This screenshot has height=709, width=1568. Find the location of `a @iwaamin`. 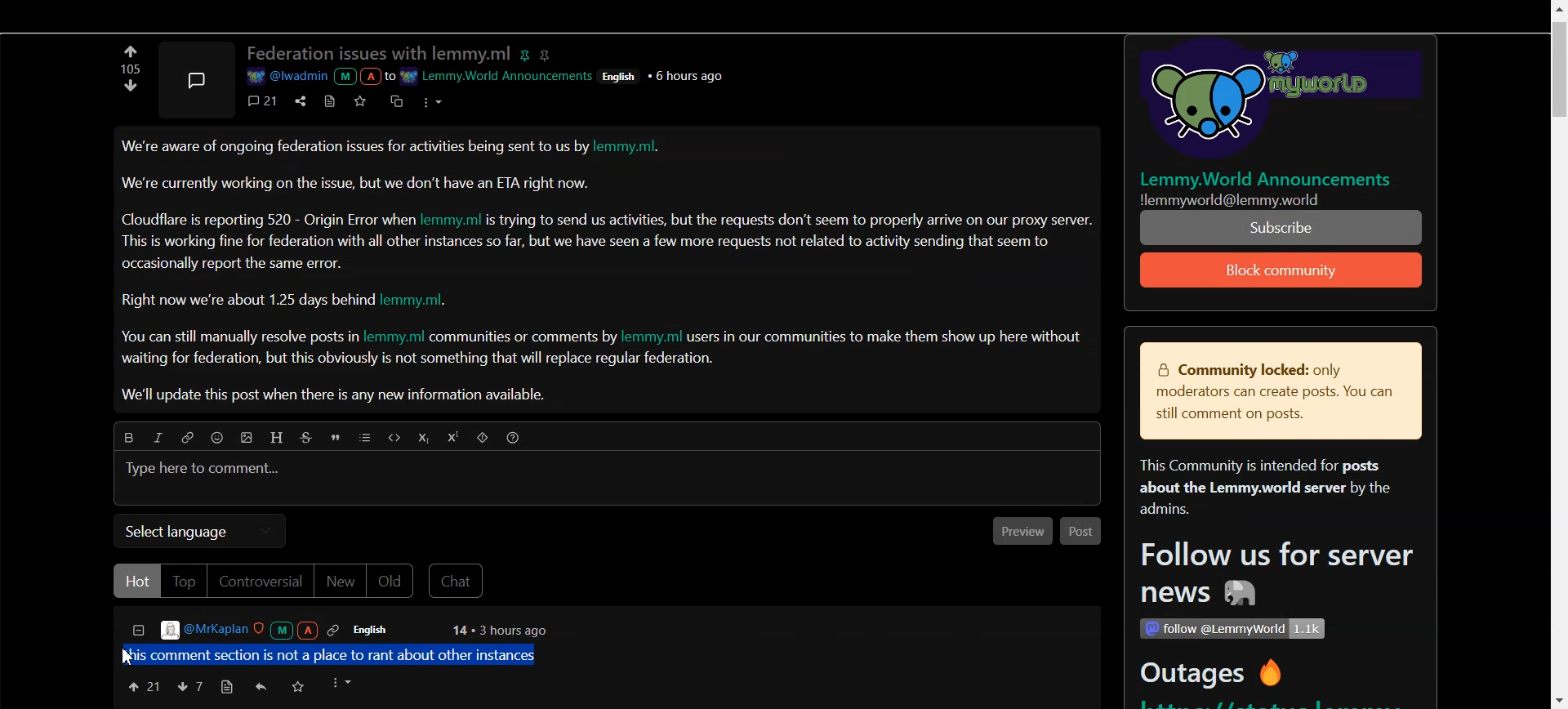

a @iwaamin is located at coordinates (318, 77).